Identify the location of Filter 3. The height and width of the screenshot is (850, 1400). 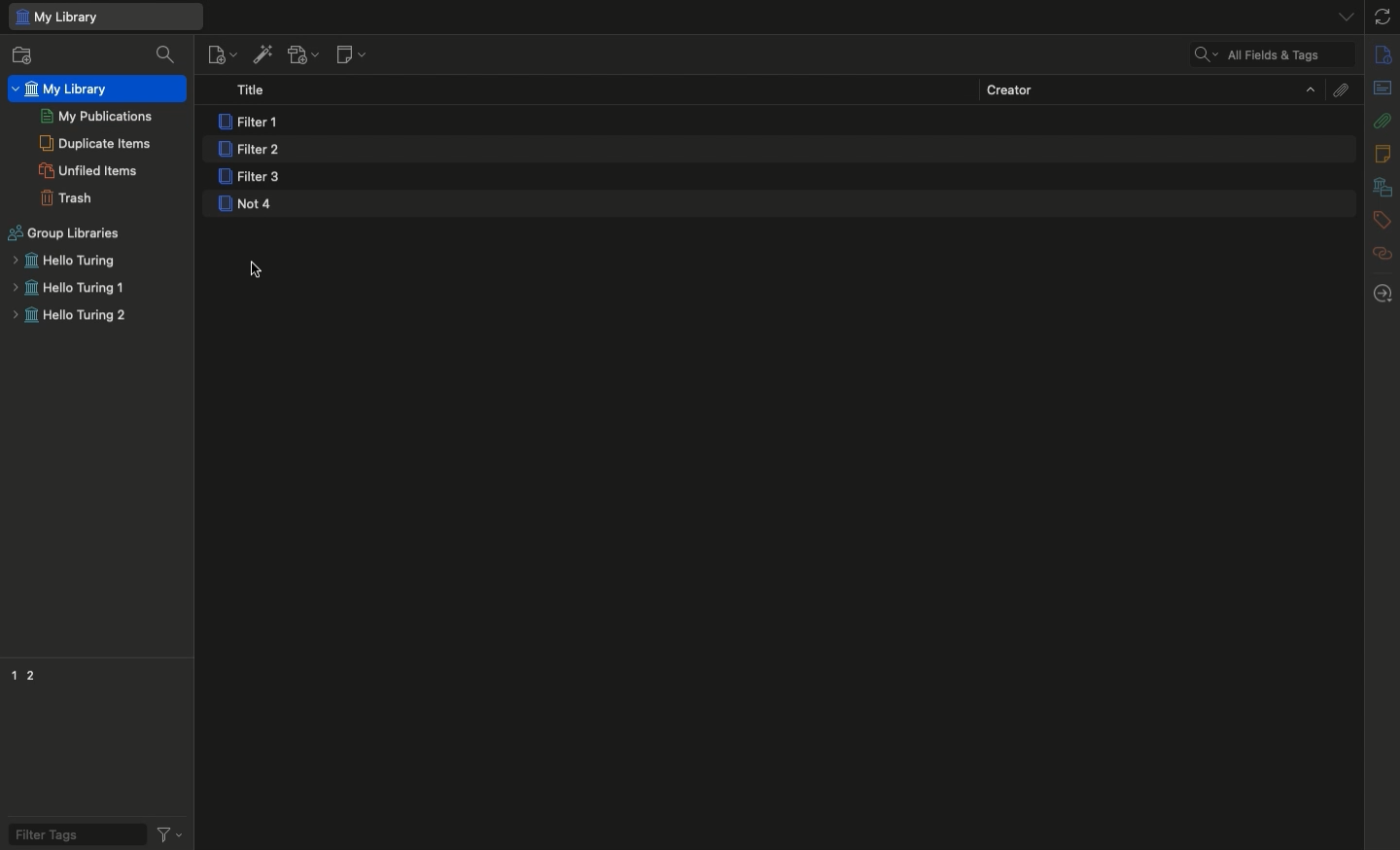
(254, 179).